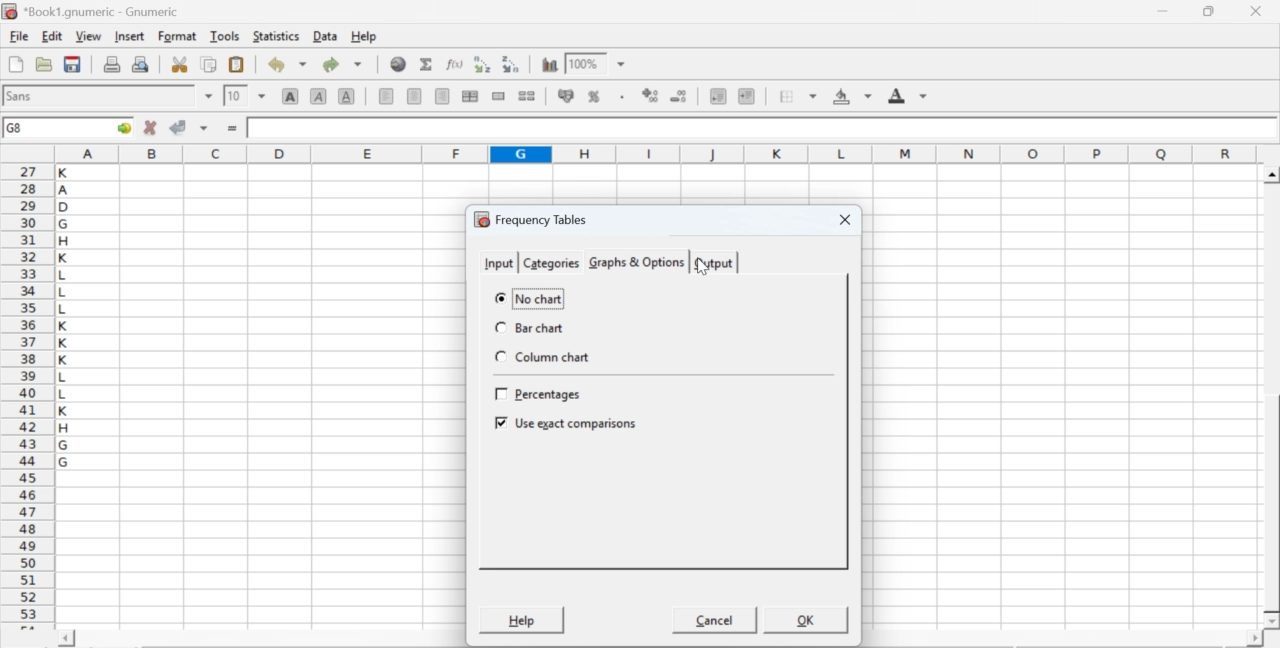 This screenshot has width=1280, height=648. Describe the element at coordinates (567, 425) in the screenshot. I see `use exact xomparisons` at that location.